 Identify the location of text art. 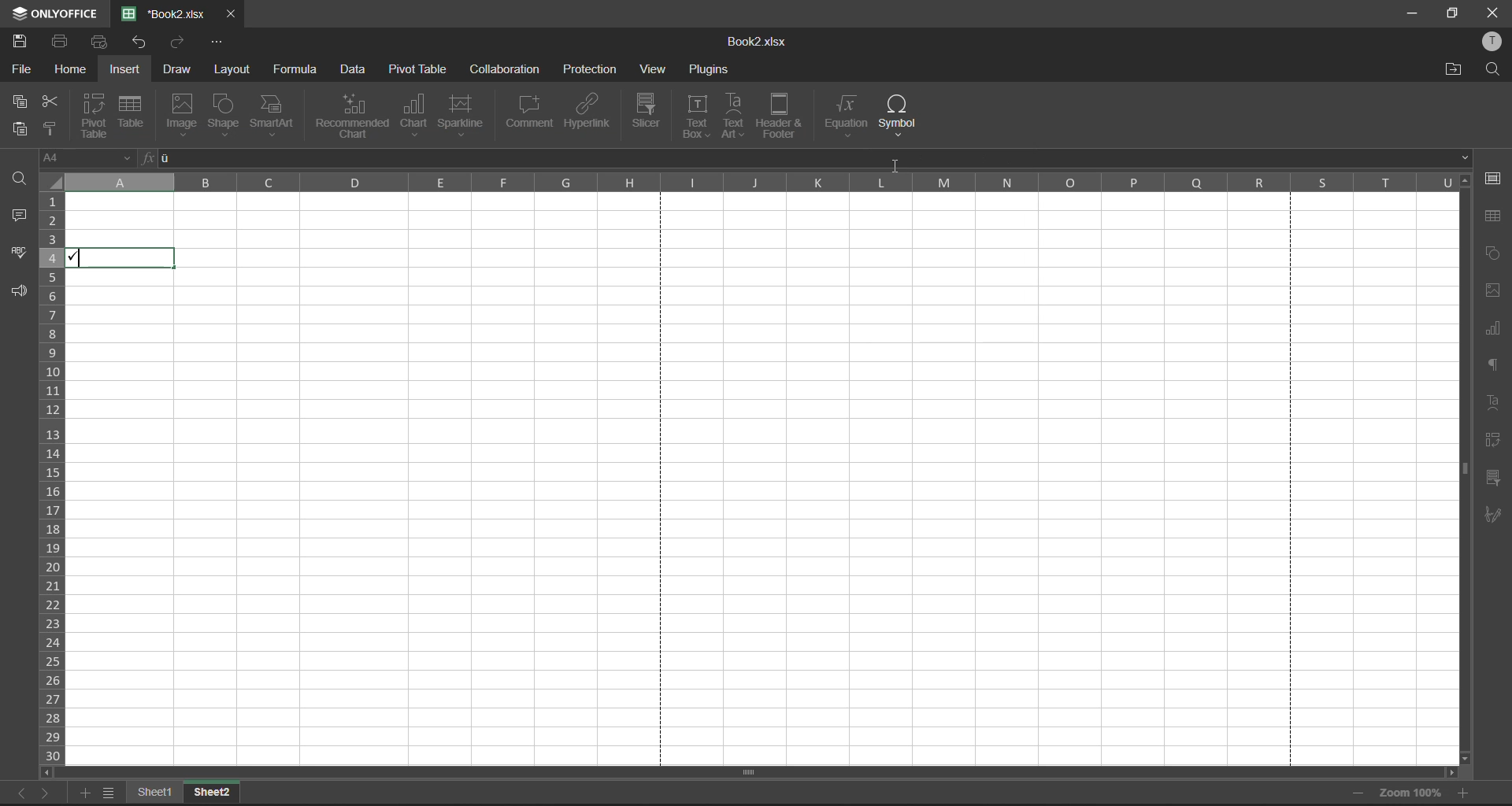
(737, 116).